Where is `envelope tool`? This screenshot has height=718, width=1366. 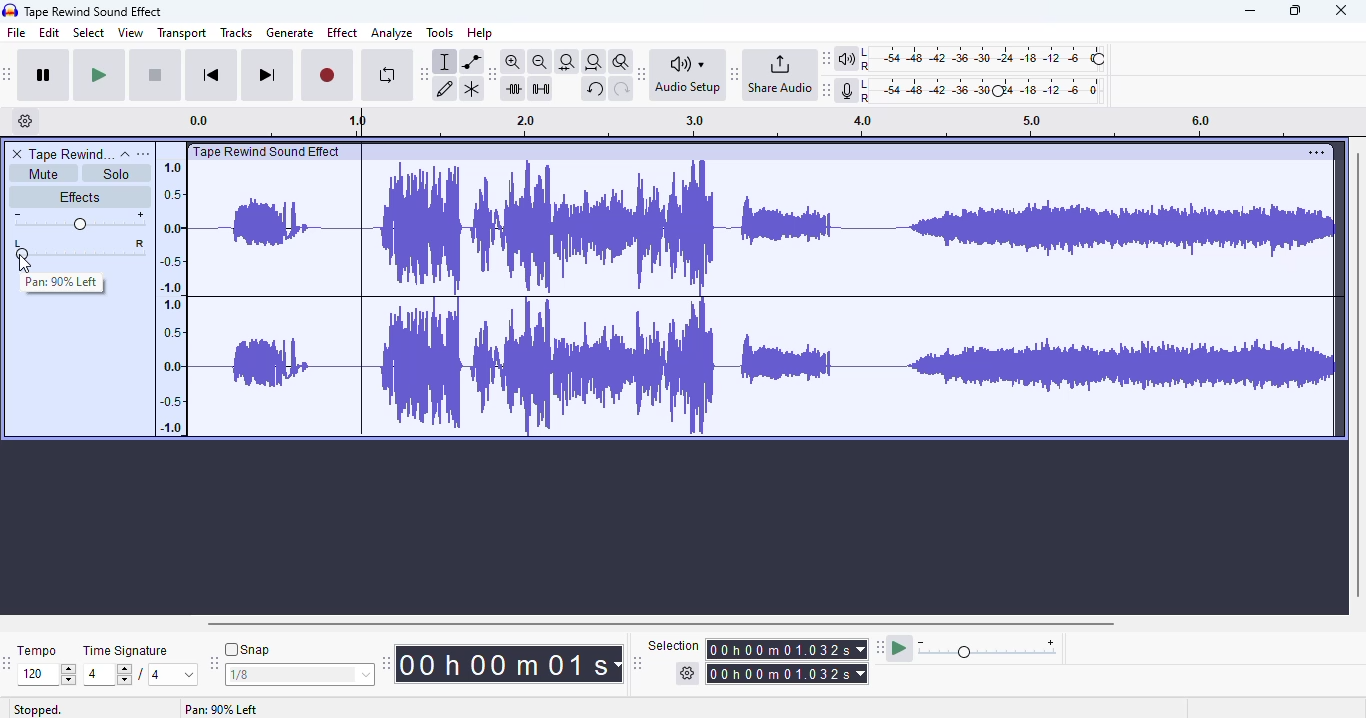 envelope tool is located at coordinates (472, 62).